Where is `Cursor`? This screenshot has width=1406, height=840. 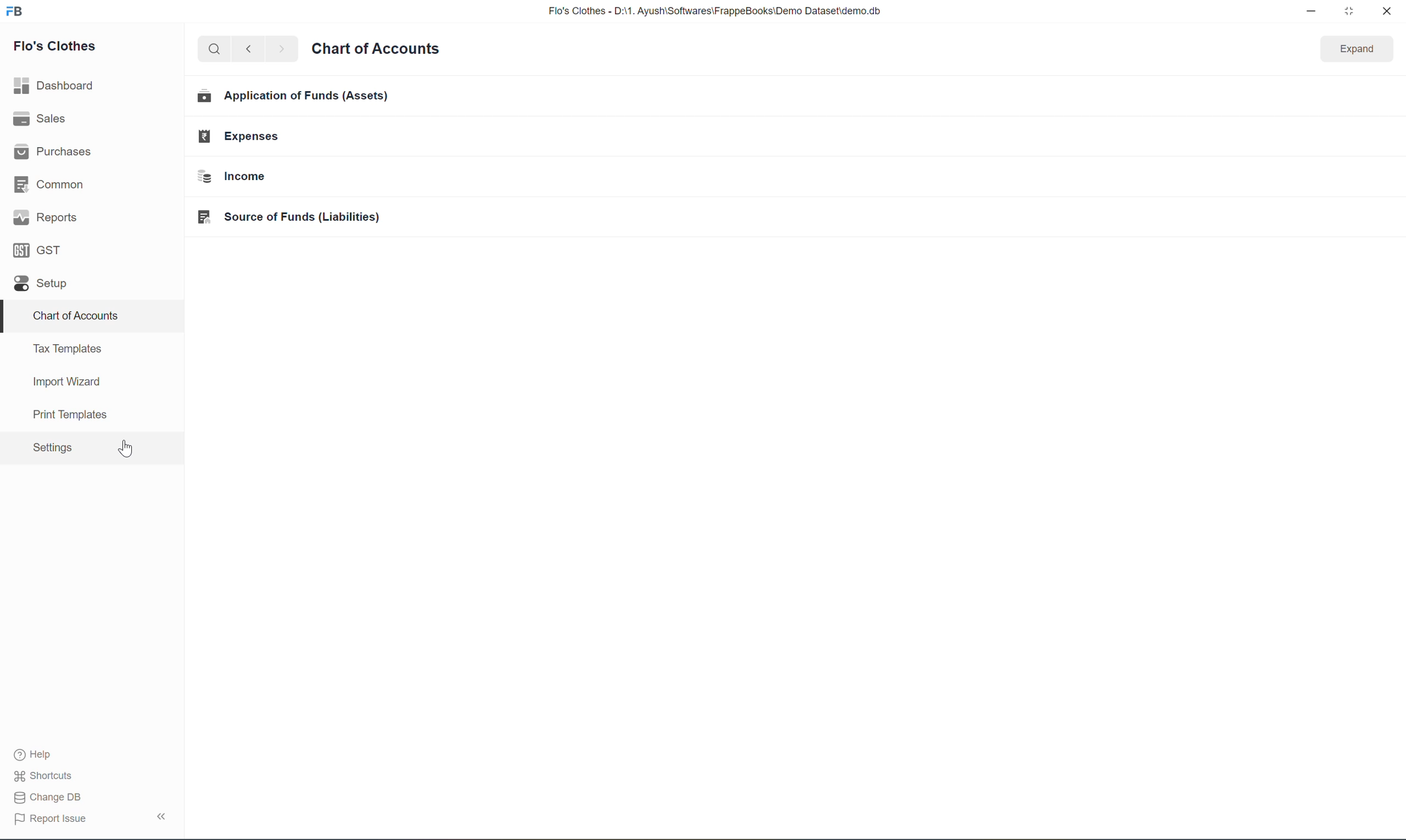 Cursor is located at coordinates (124, 449).